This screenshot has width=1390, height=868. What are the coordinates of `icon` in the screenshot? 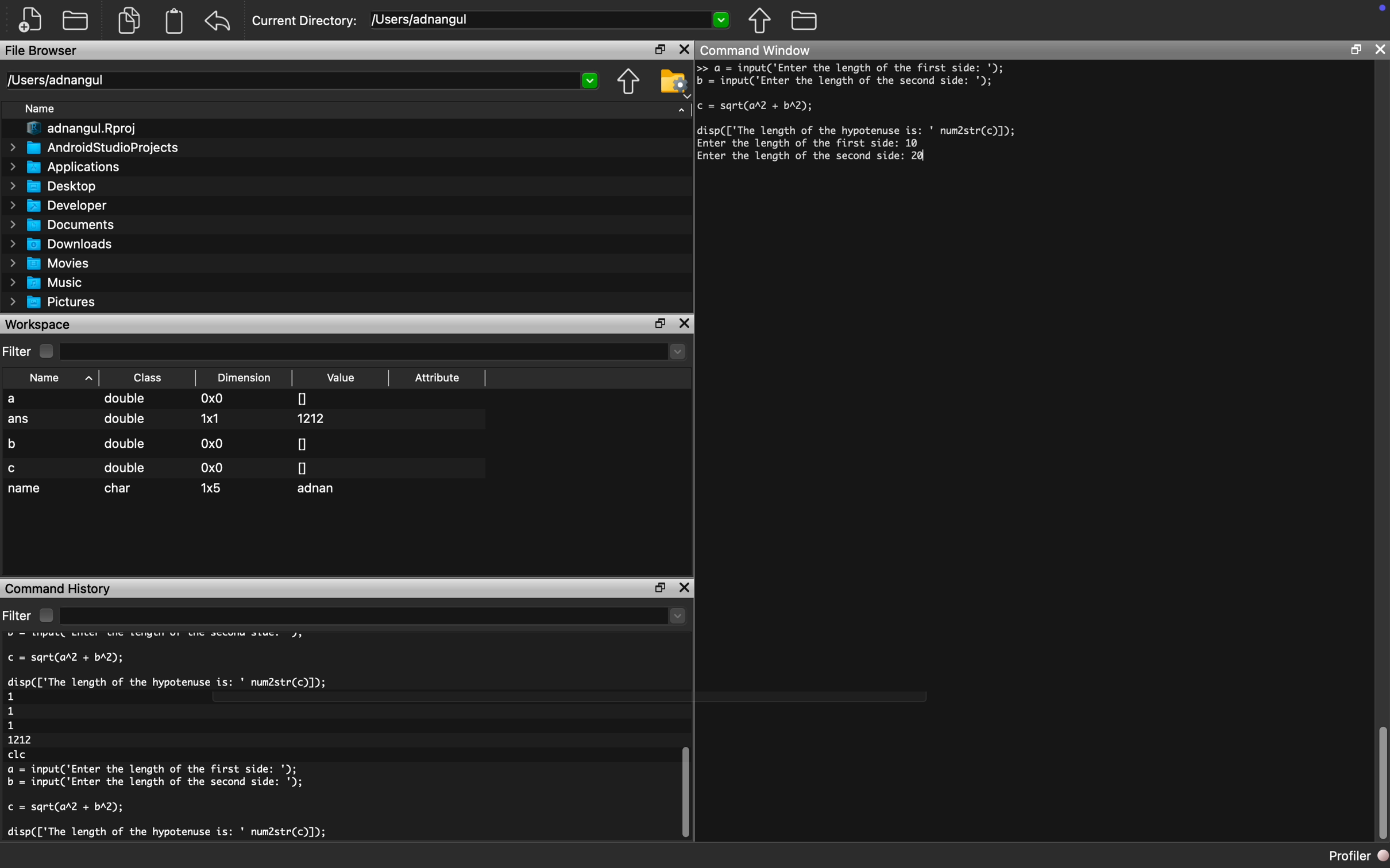 It's located at (1373, 12).